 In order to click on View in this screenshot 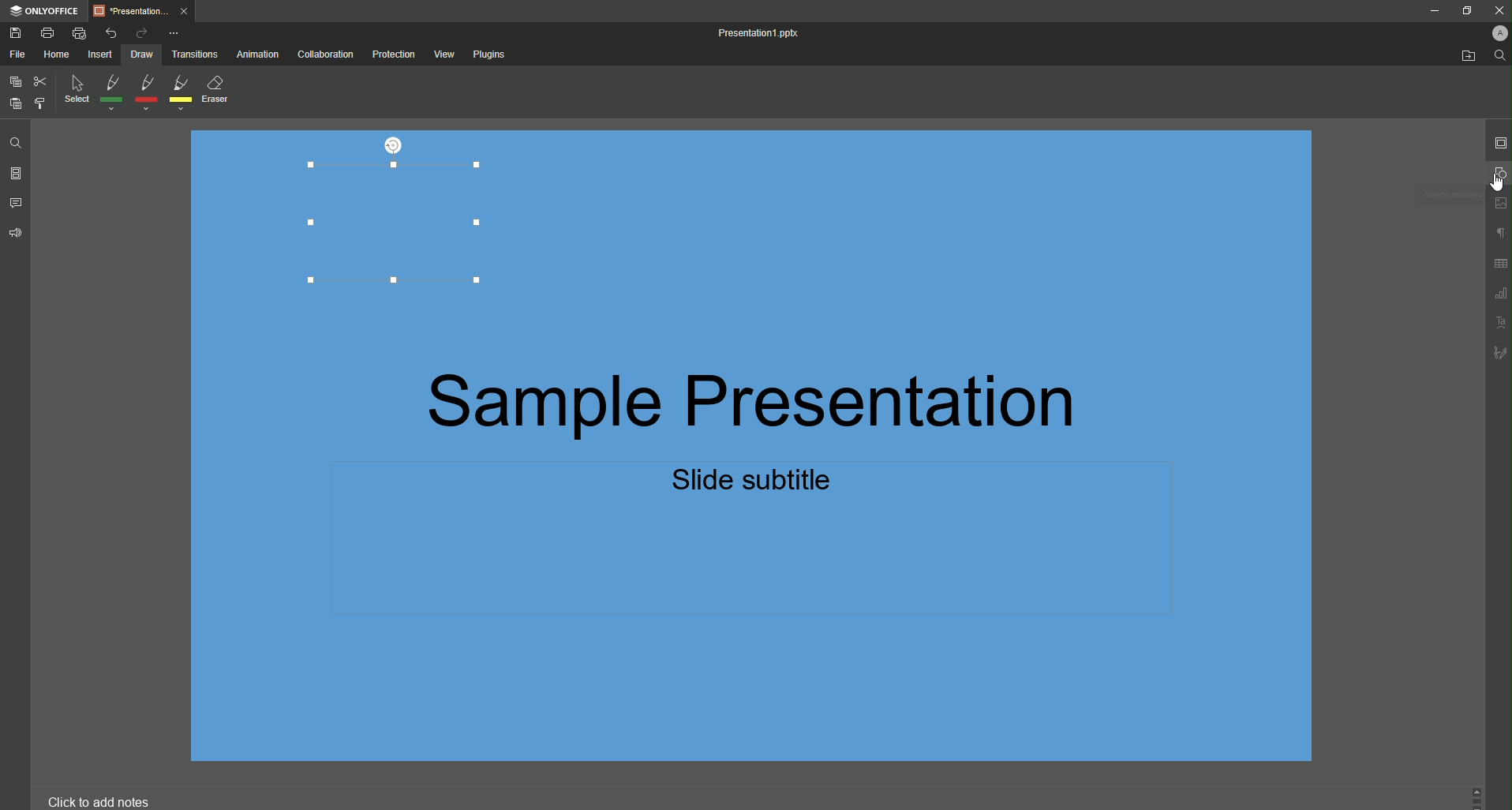, I will do `click(443, 54)`.